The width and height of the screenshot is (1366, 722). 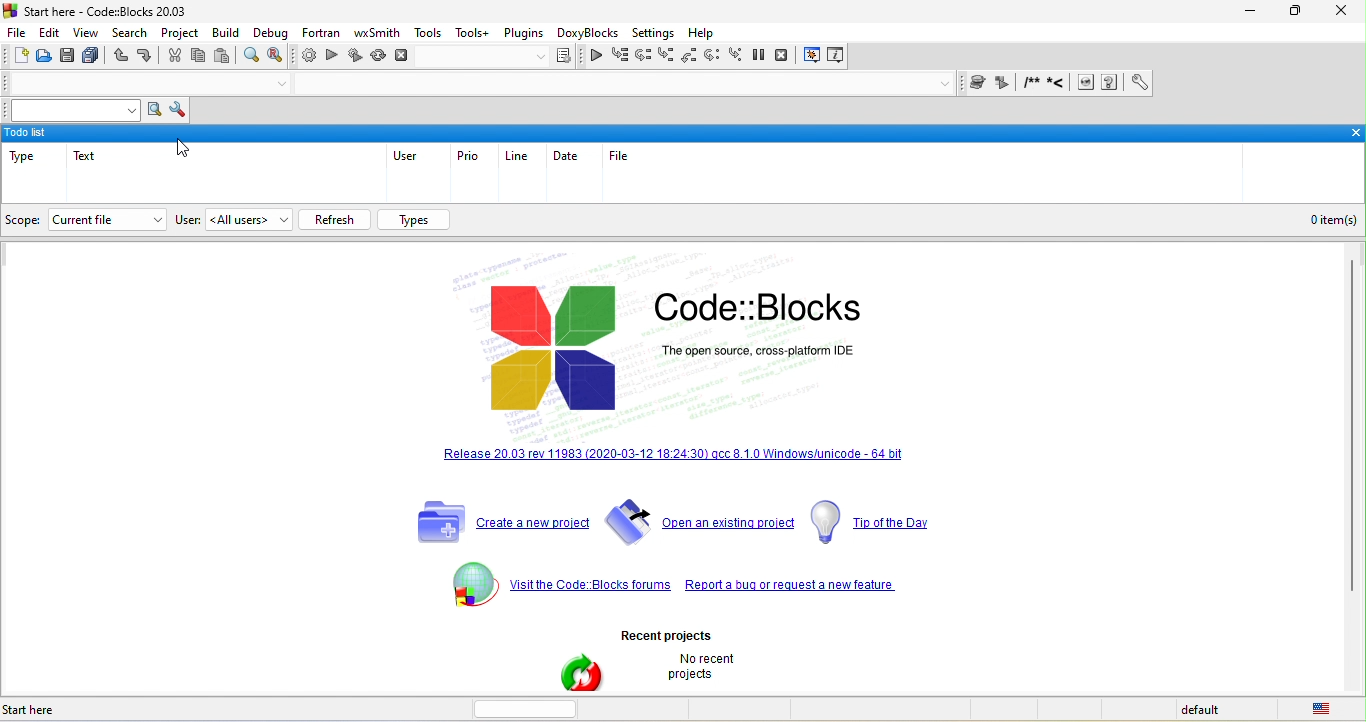 I want to click on 0 item(s), so click(x=1338, y=219).